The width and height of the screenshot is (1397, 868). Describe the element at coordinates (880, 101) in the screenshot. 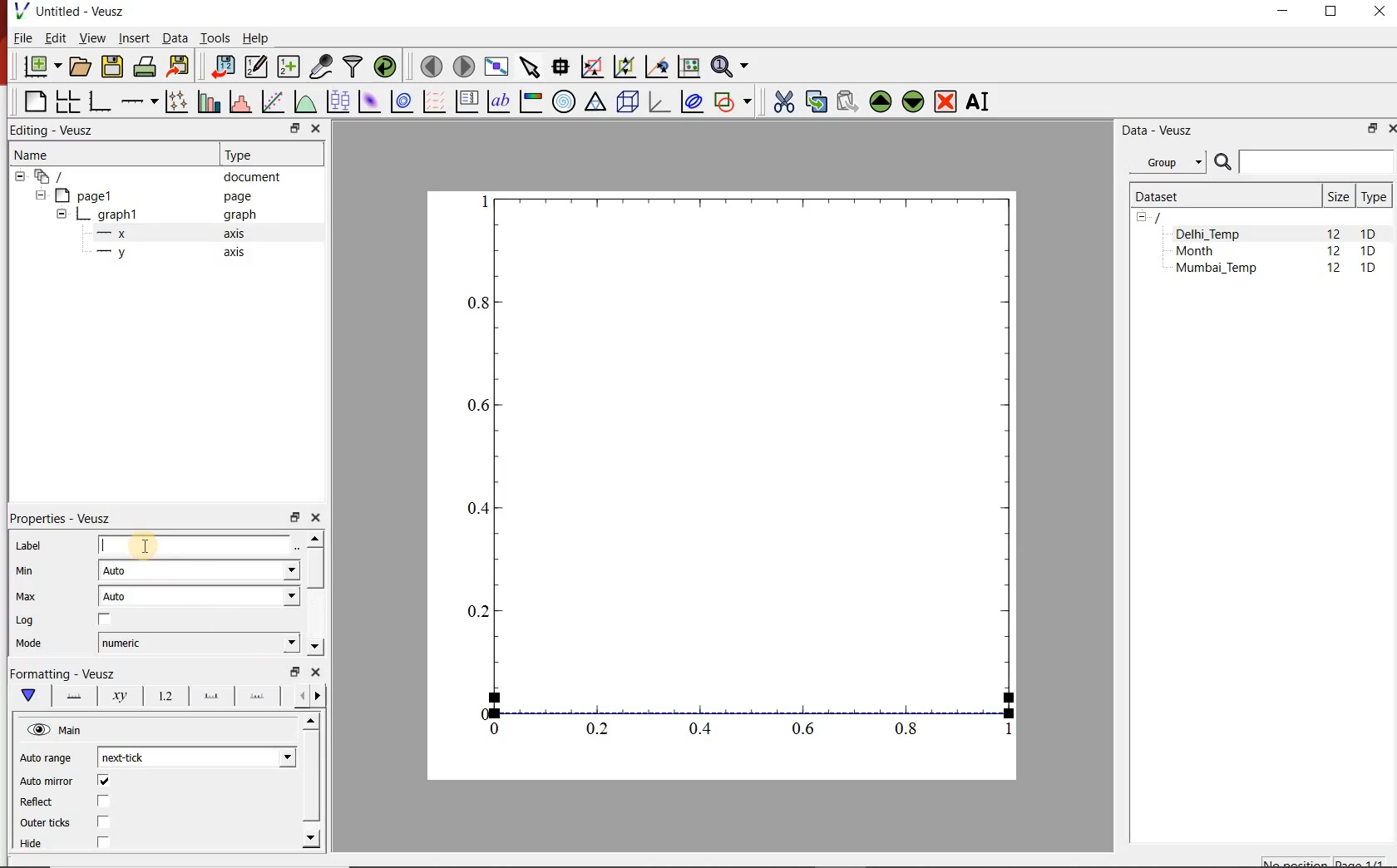

I see `move the selected widget up` at that location.